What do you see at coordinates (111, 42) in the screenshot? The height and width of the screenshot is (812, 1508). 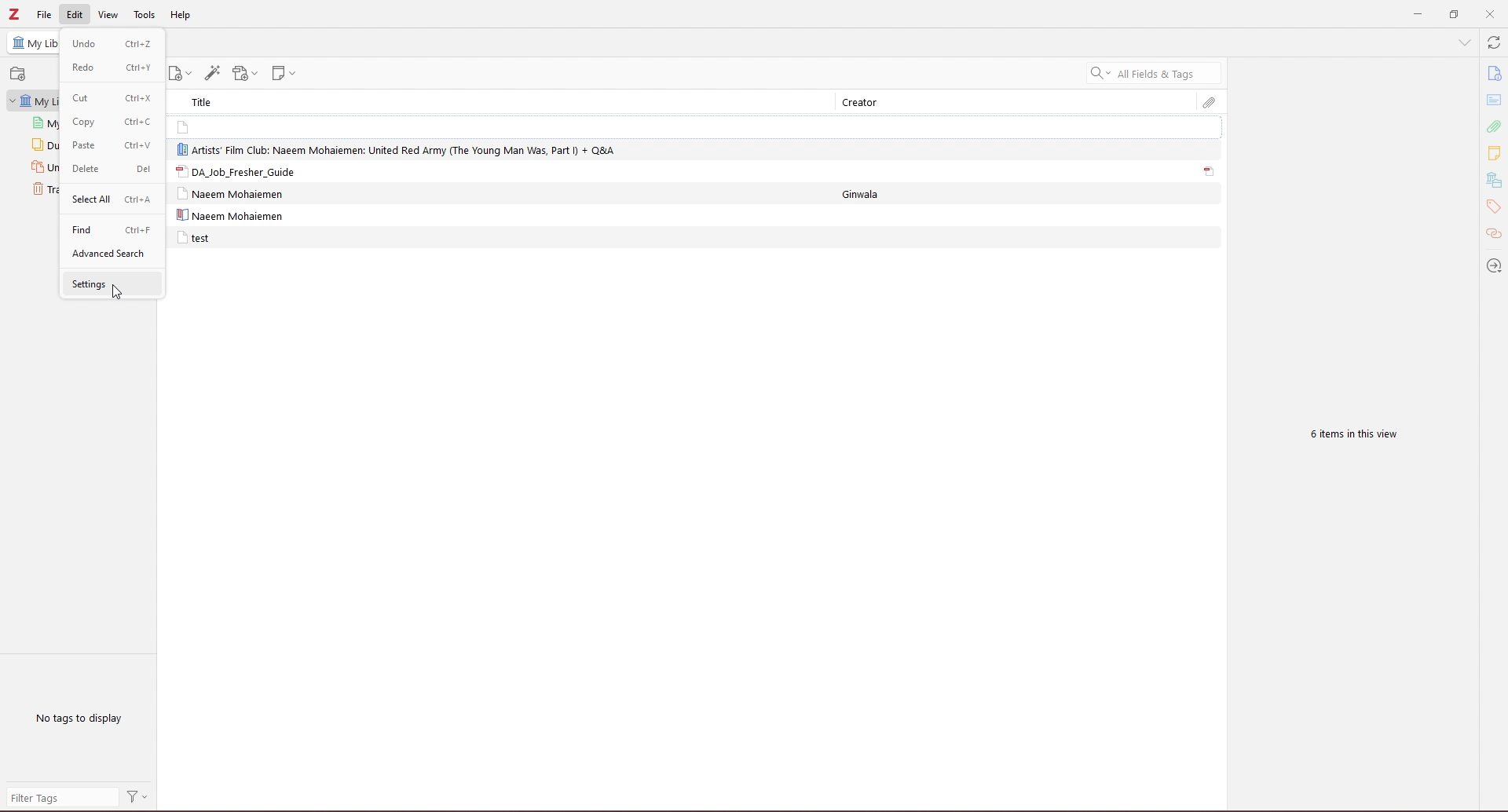 I see `undo` at bounding box center [111, 42].